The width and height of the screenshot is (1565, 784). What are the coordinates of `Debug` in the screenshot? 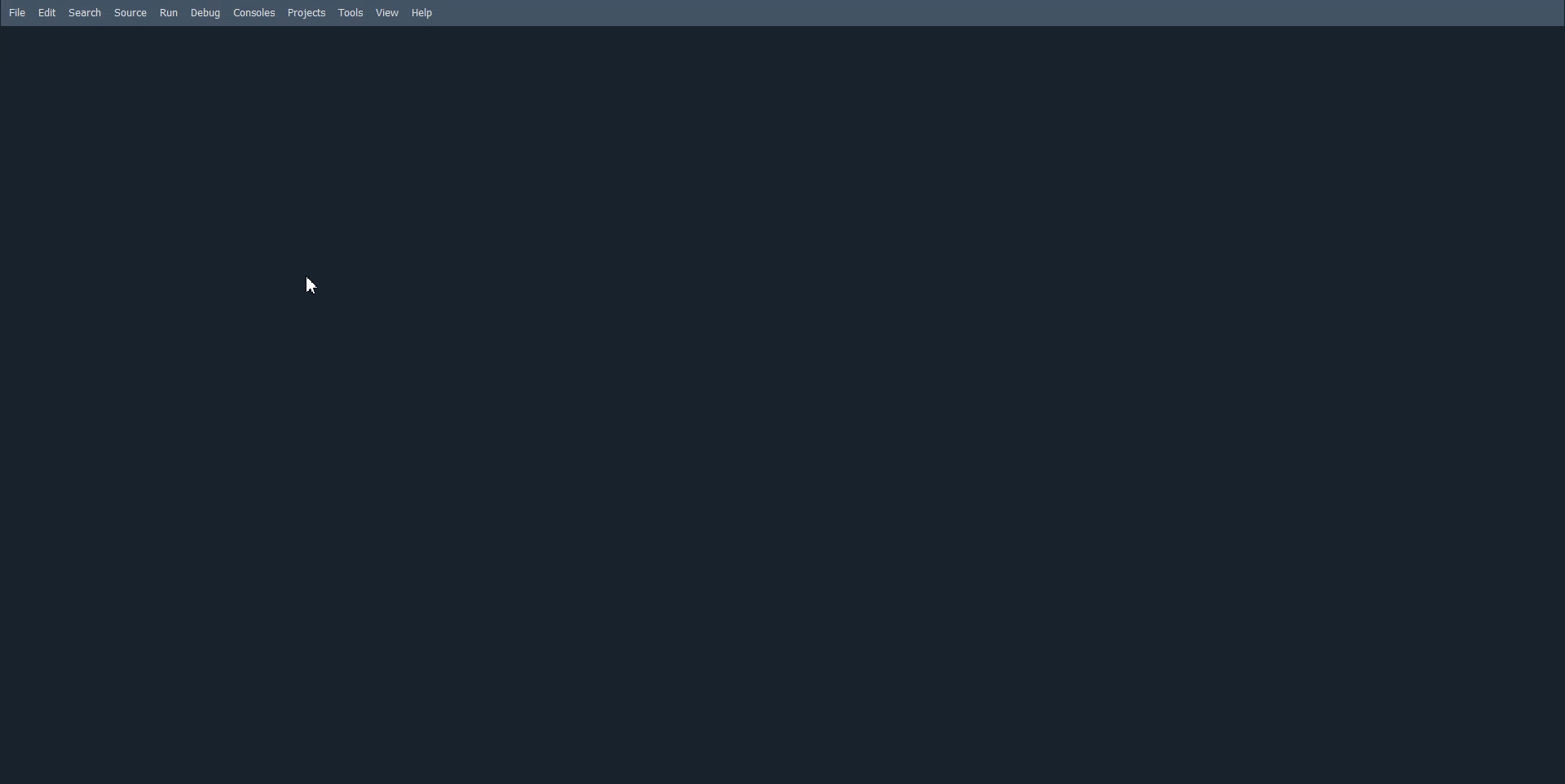 It's located at (205, 12).